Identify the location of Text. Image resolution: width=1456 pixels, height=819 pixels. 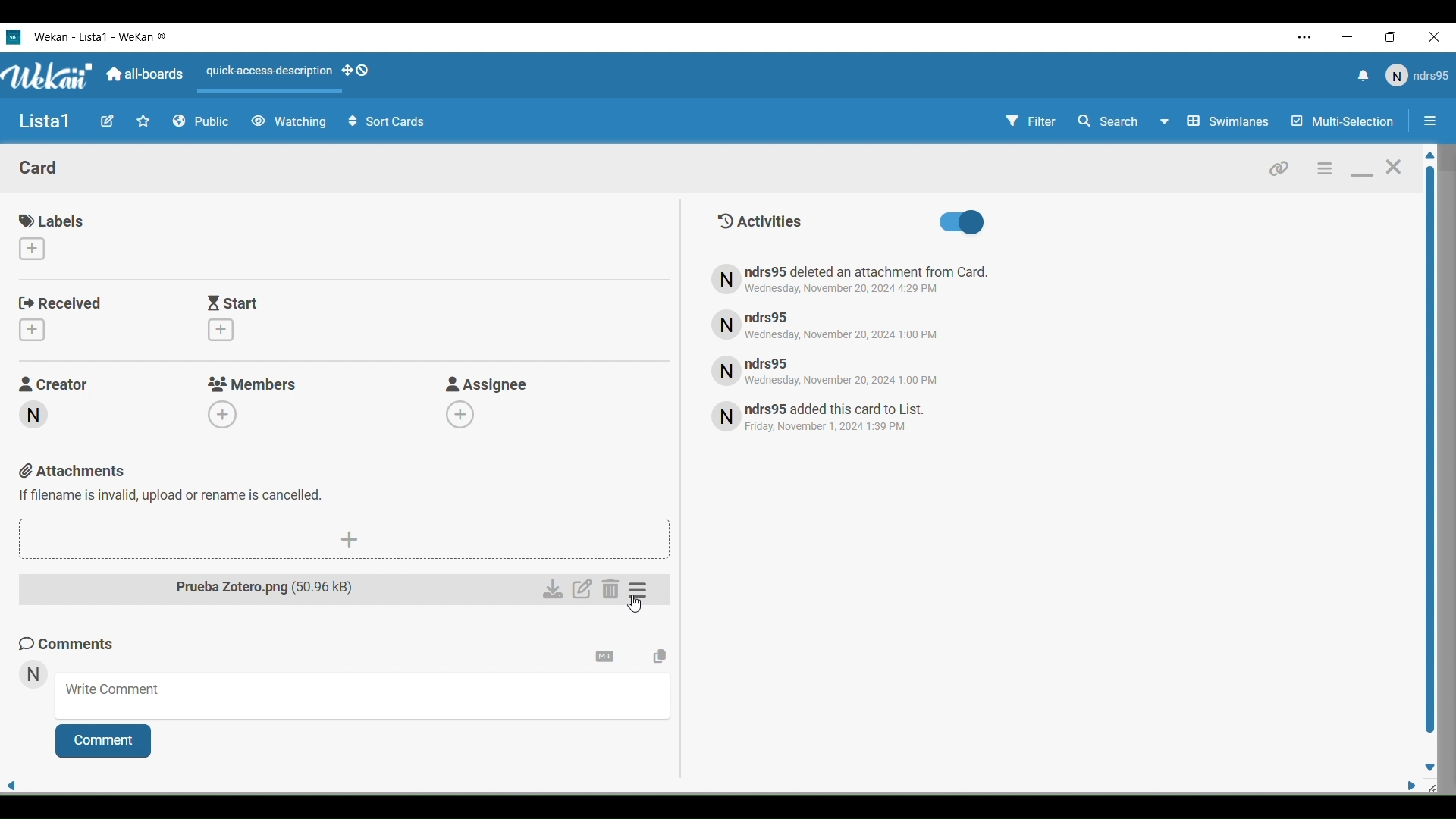
(852, 280).